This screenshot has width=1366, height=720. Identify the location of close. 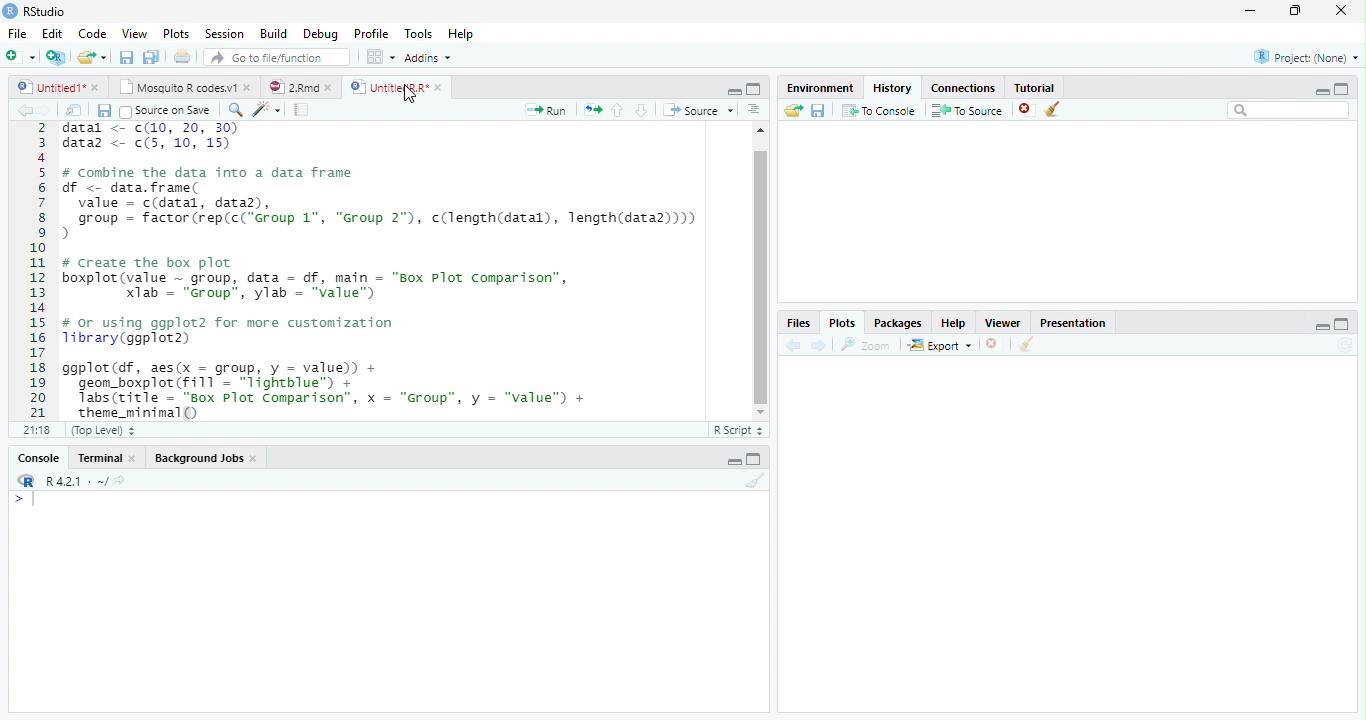
(254, 458).